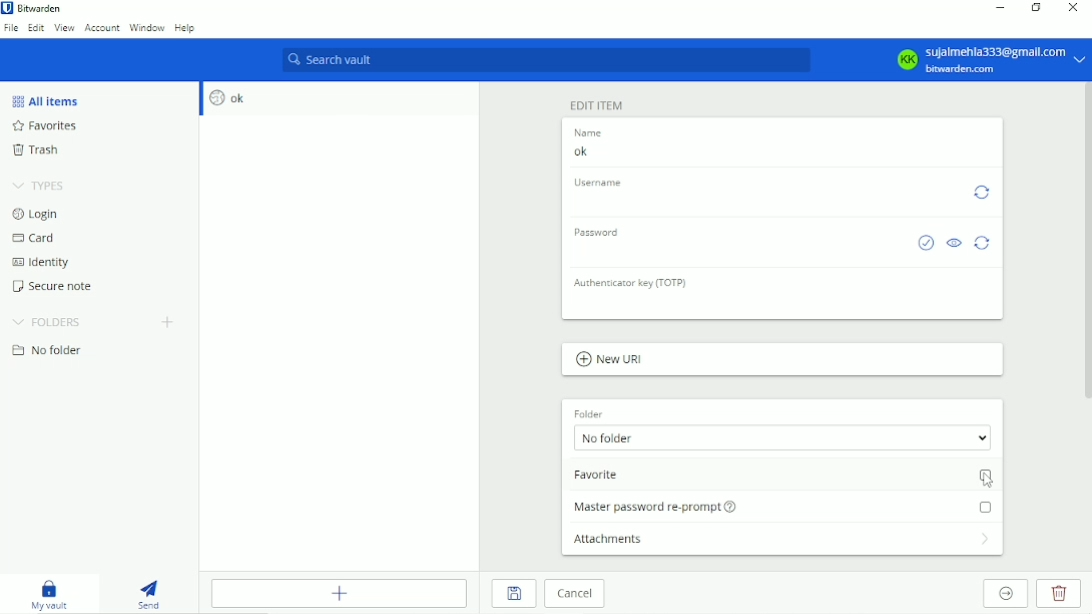 The height and width of the screenshot is (614, 1092). What do you see at coordinates (543, 61) in the screenshot?
I see `Search vault` at bounding box center [543, 61].